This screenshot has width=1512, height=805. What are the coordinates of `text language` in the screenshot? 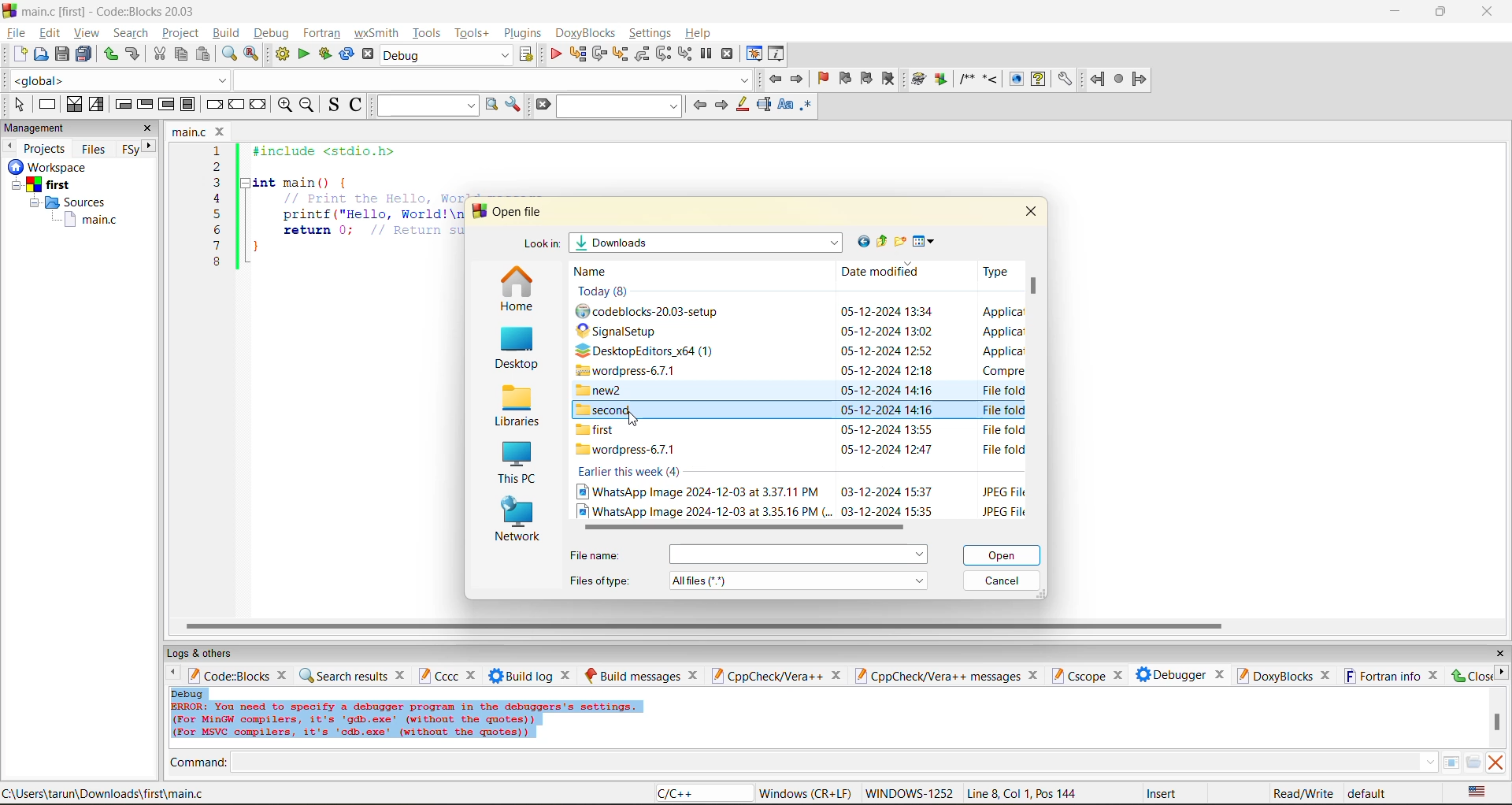 It's located at (1478, 792).